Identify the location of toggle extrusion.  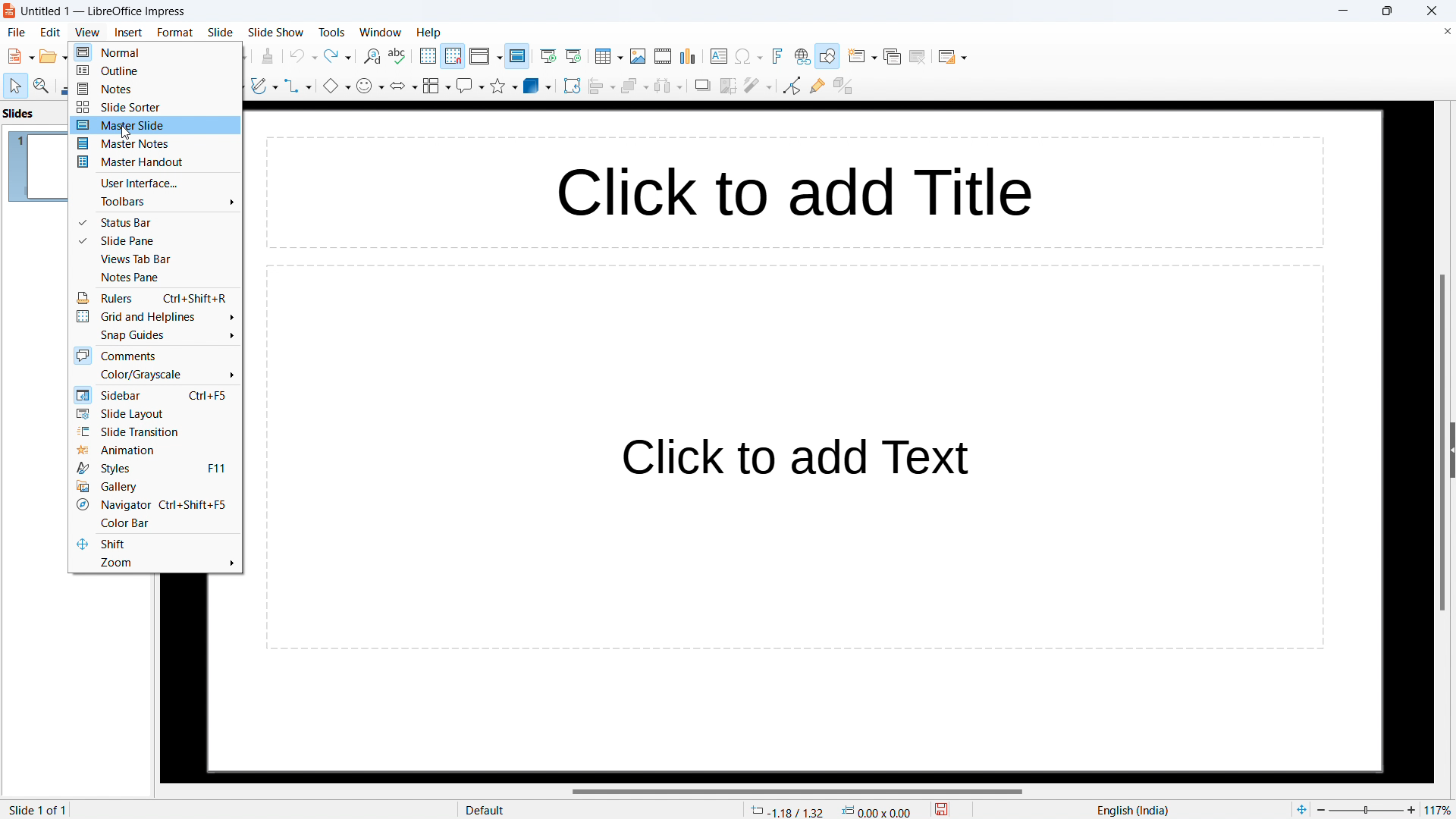
(843, 86).